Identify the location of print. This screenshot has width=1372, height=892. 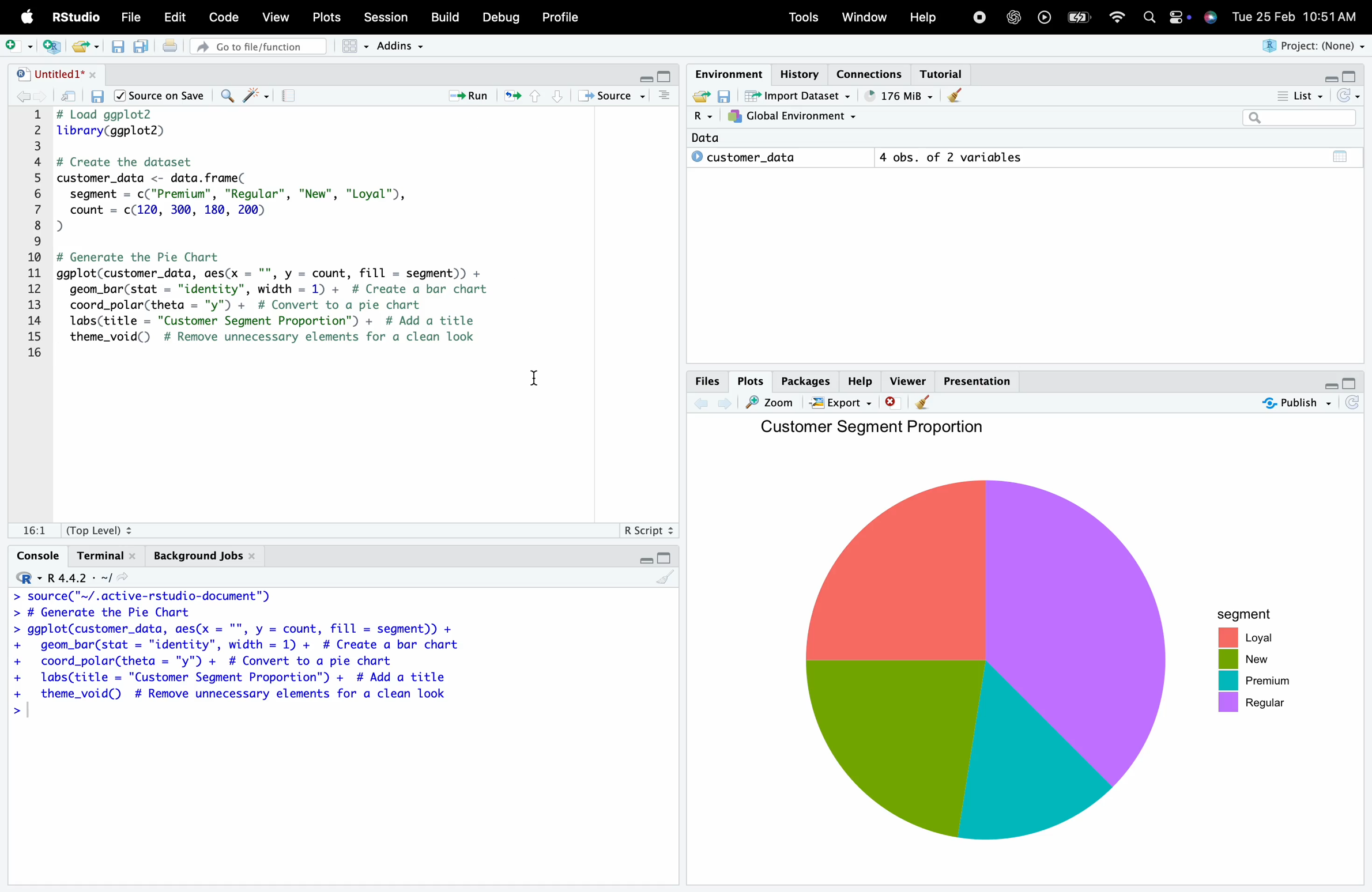
(176, 50).